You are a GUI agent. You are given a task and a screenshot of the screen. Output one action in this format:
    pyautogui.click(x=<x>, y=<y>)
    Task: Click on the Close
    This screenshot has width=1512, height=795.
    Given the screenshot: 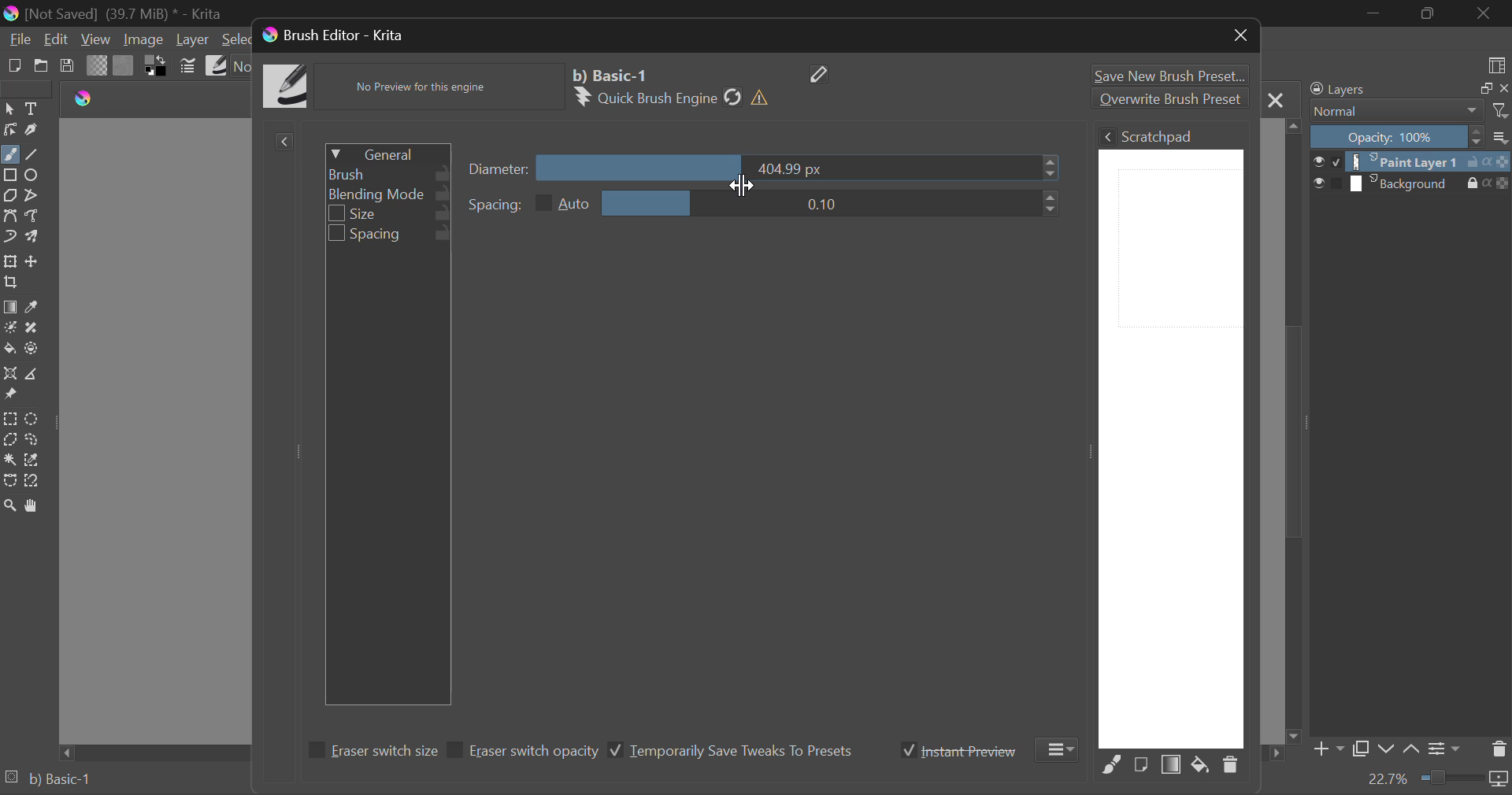 What is the action you would take?
    pyautogui.click(x=1484, y=13)
    